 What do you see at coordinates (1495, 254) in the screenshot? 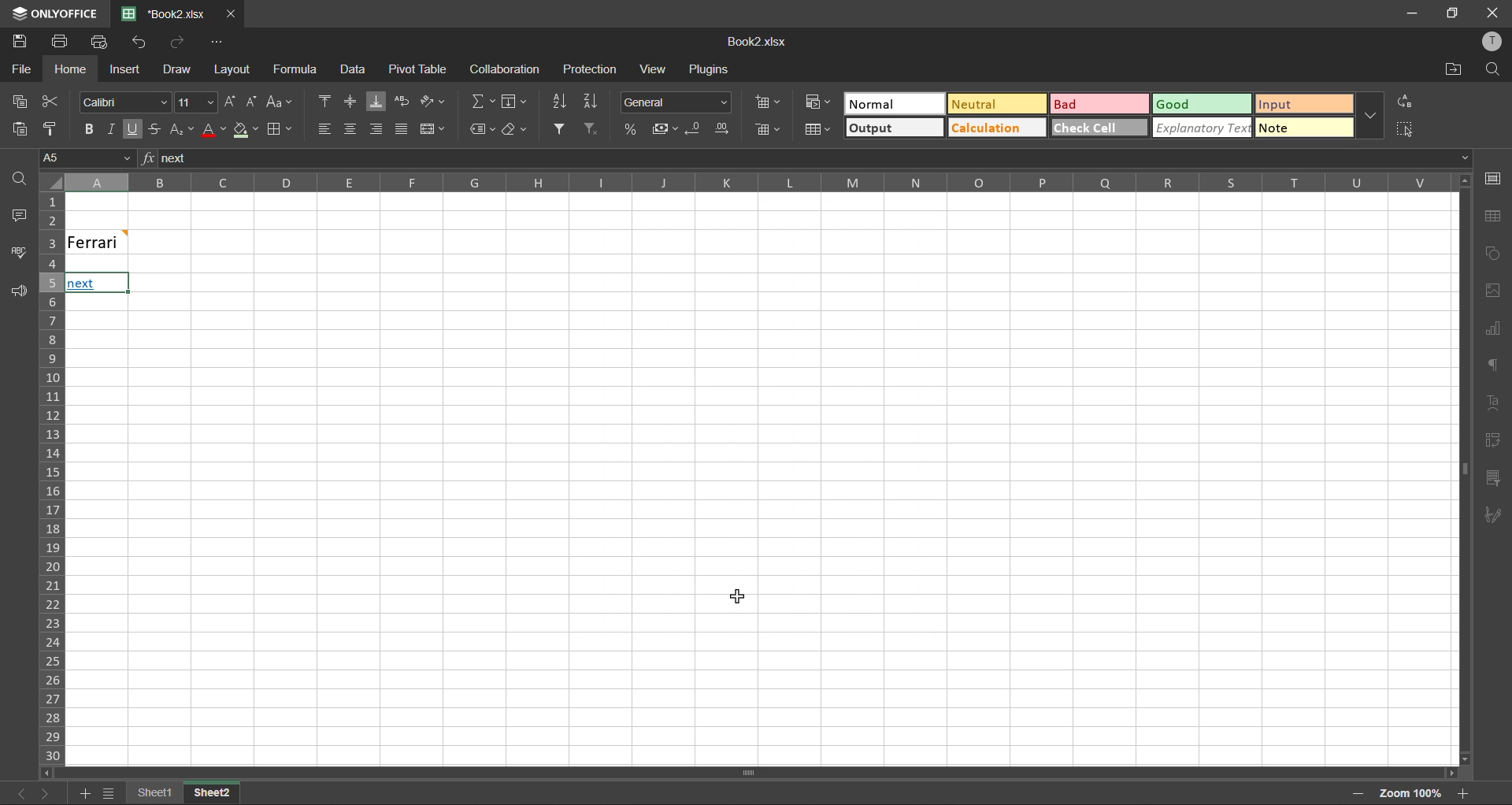
I see `shapes` at bounding box center [1495, 254].